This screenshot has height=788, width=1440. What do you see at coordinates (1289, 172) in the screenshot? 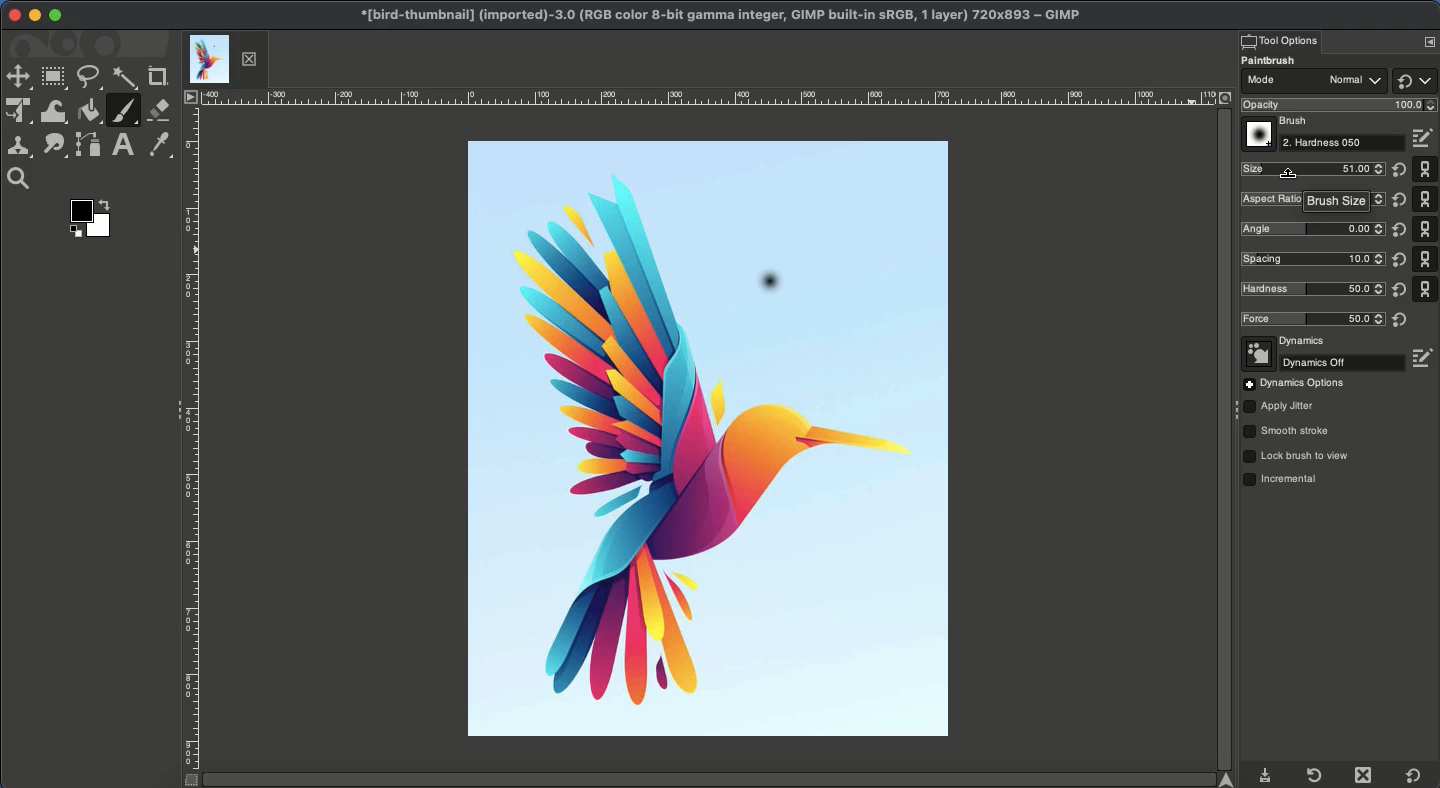
I see `Changing size` at bounding box center [1289, 172].